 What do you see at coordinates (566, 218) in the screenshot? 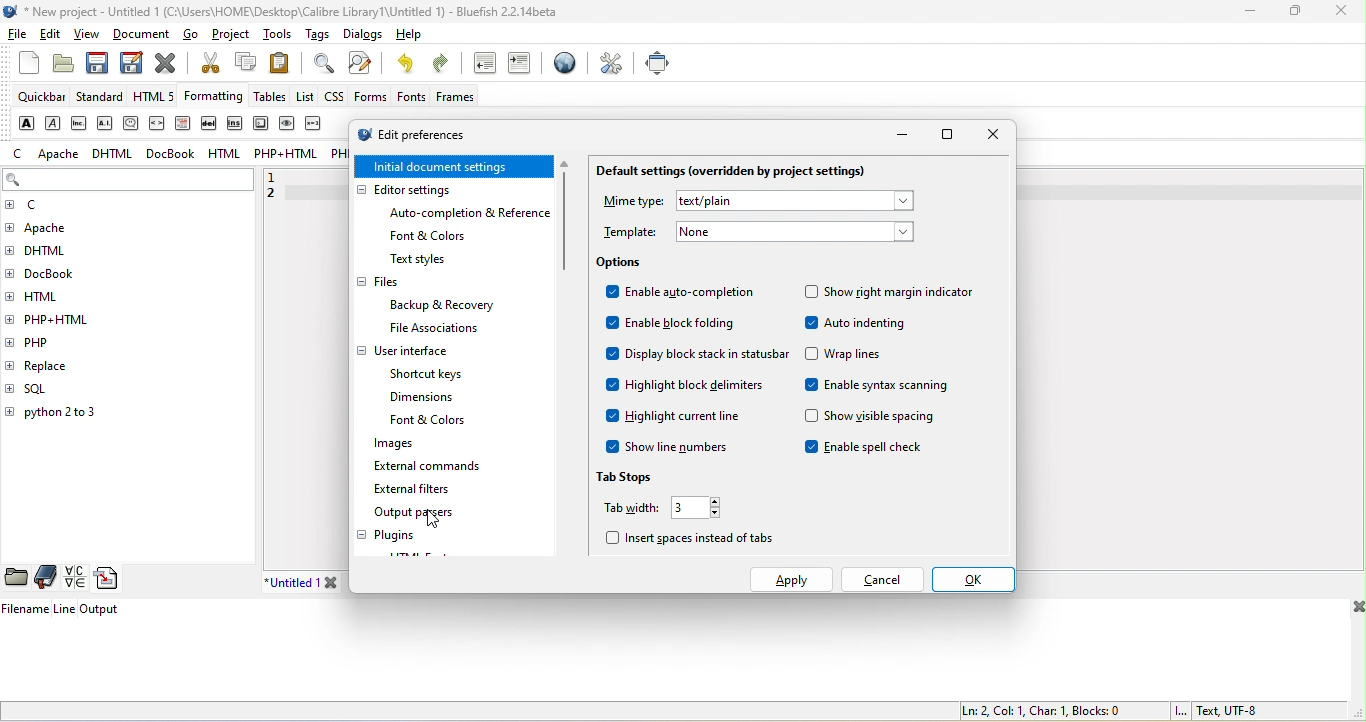
I see `vertical scroll bar` at bounding box center [566, 218].